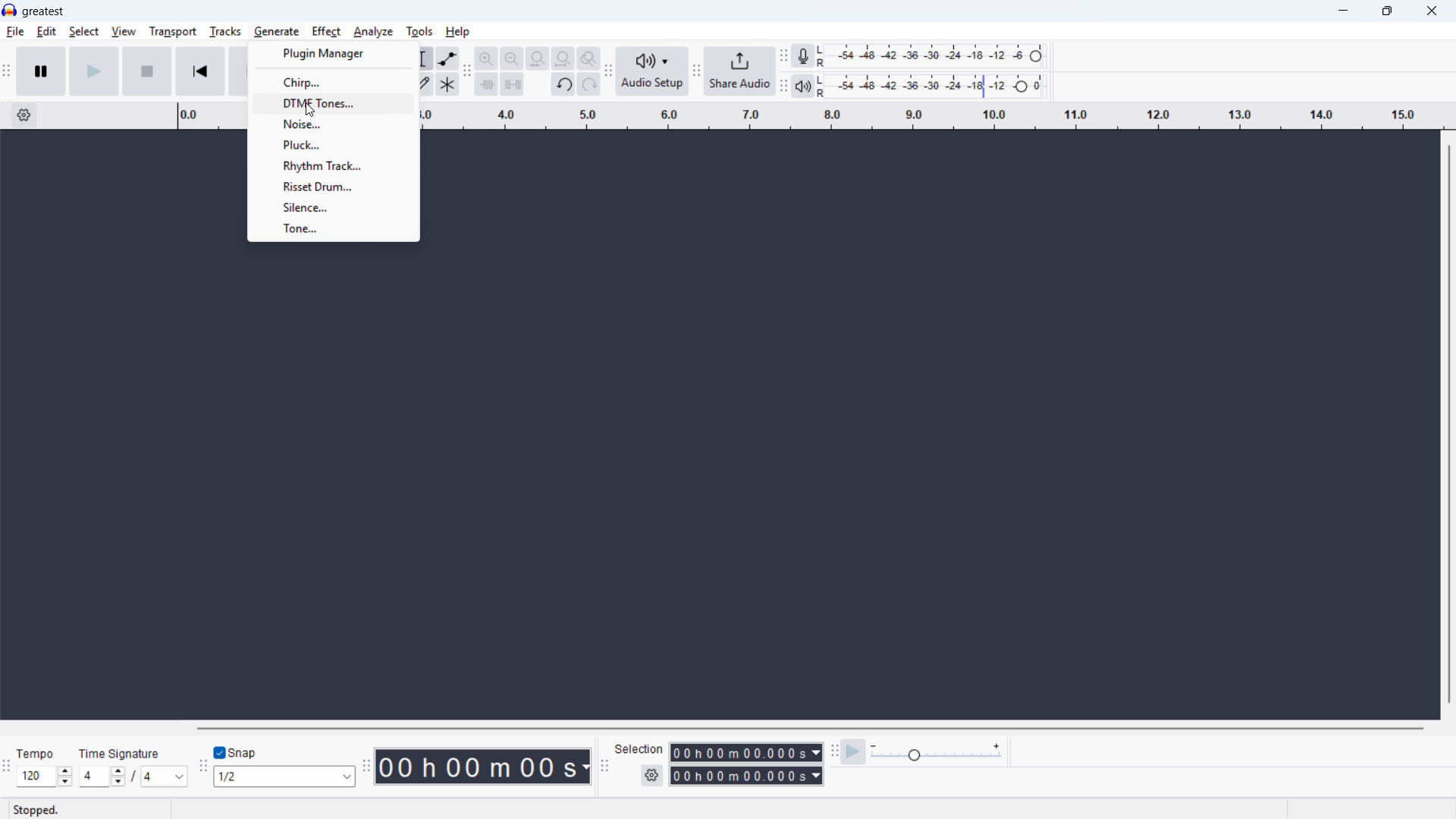 The width and height of the screenshot is (1456, 819). Describe the element at coordinates (334, 207) in the screenshot. I see `Silence` at that location.